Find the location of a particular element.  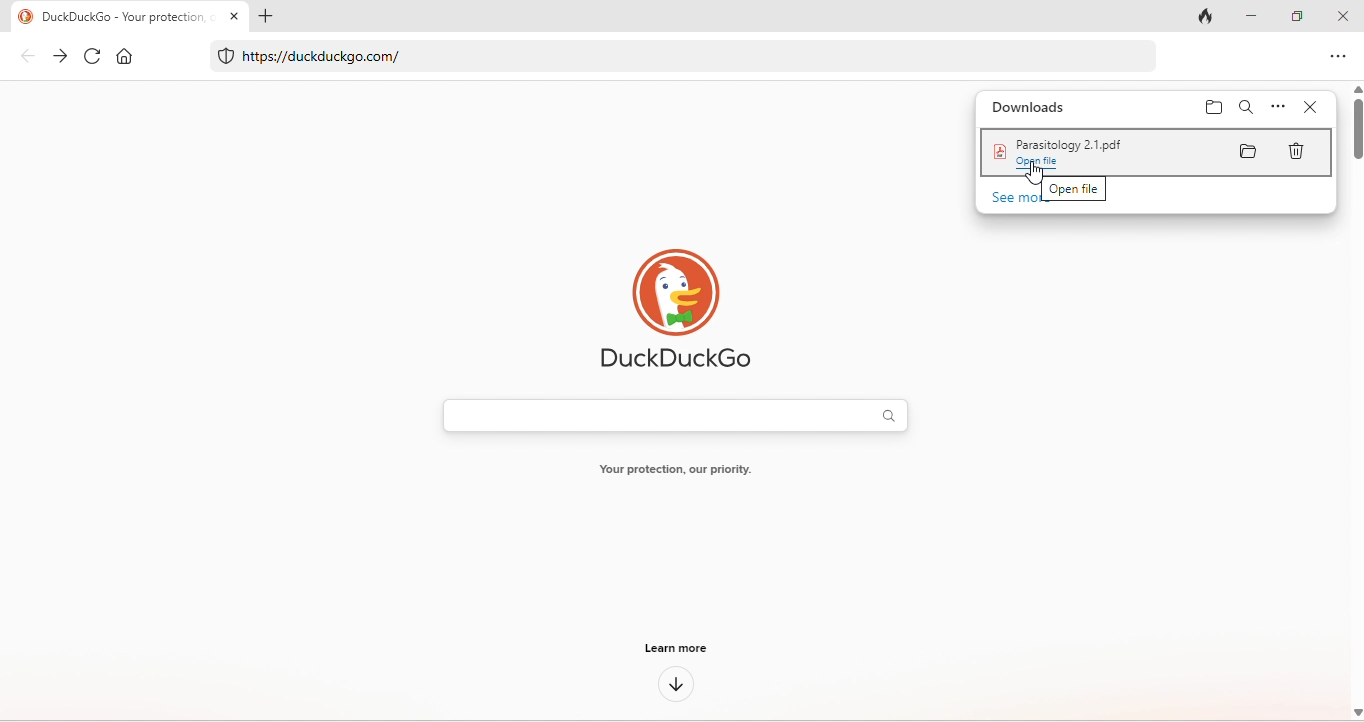

cursor movement is located at coordinates (1033, 177).